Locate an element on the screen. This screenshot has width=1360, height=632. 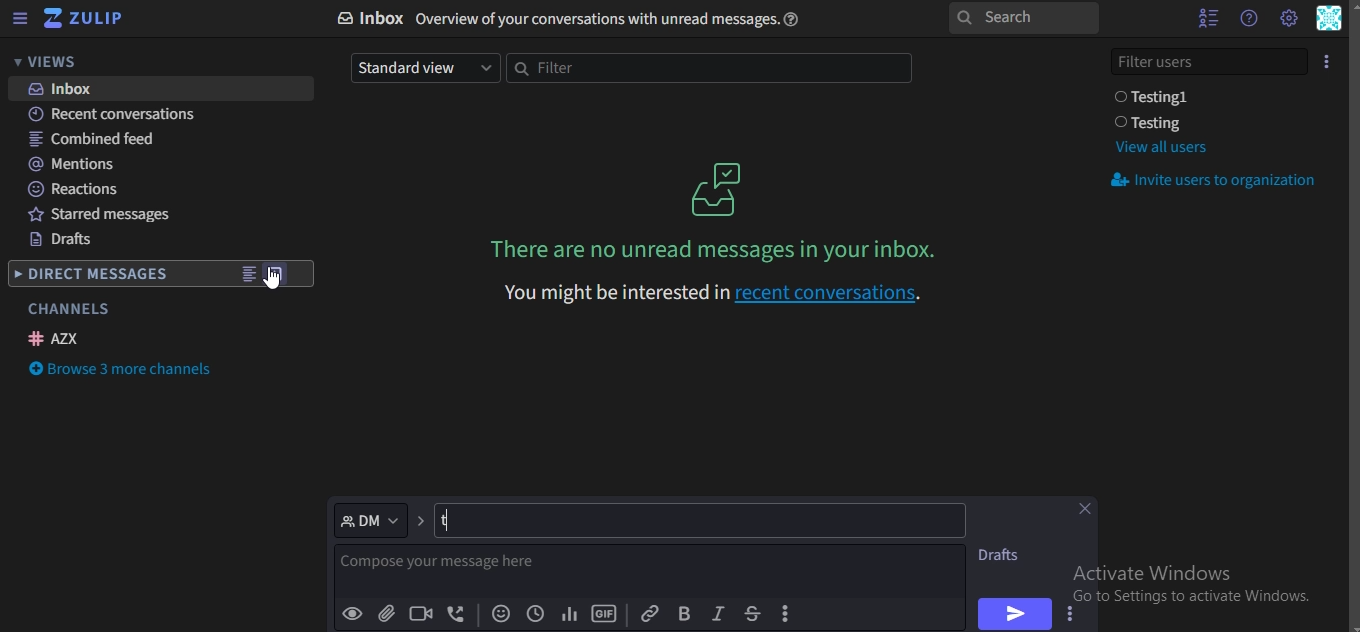
channels is located at coordinates (68, 309).